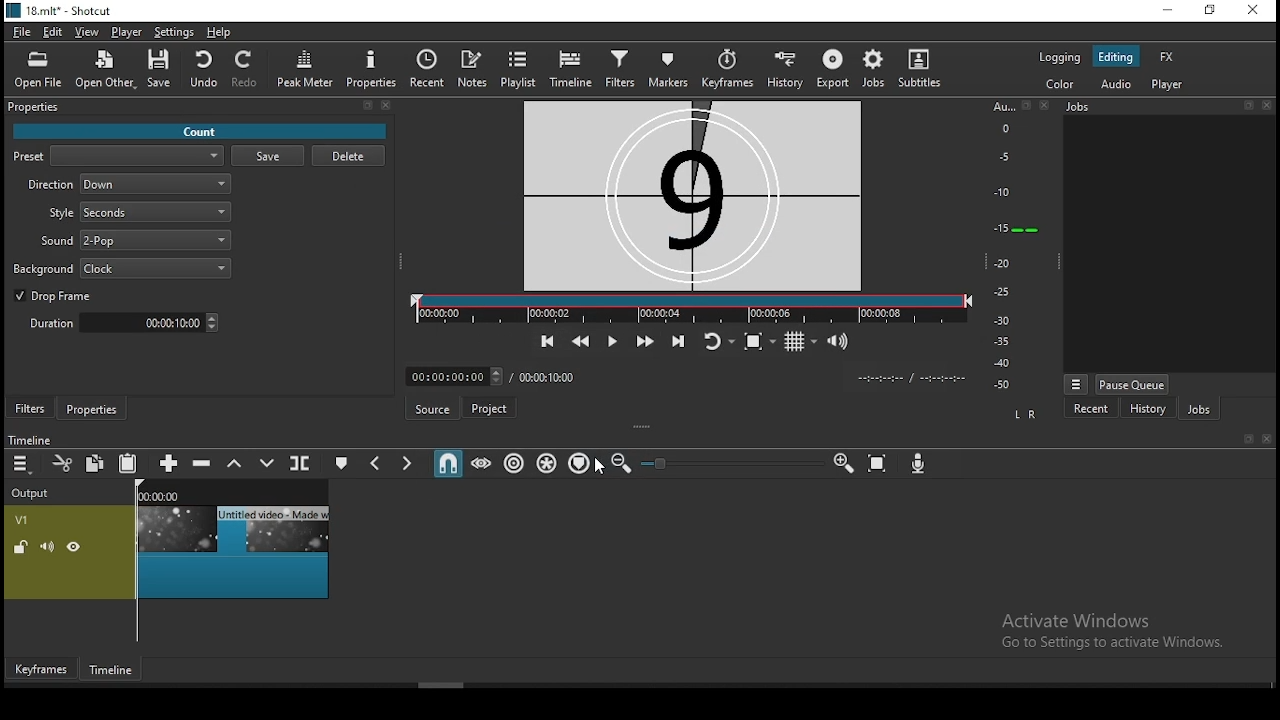 The width and height of the screenshot is (1280, 720). Describe the element at coordinates (35, 493) in the screenshot. I see `Output` at that location.